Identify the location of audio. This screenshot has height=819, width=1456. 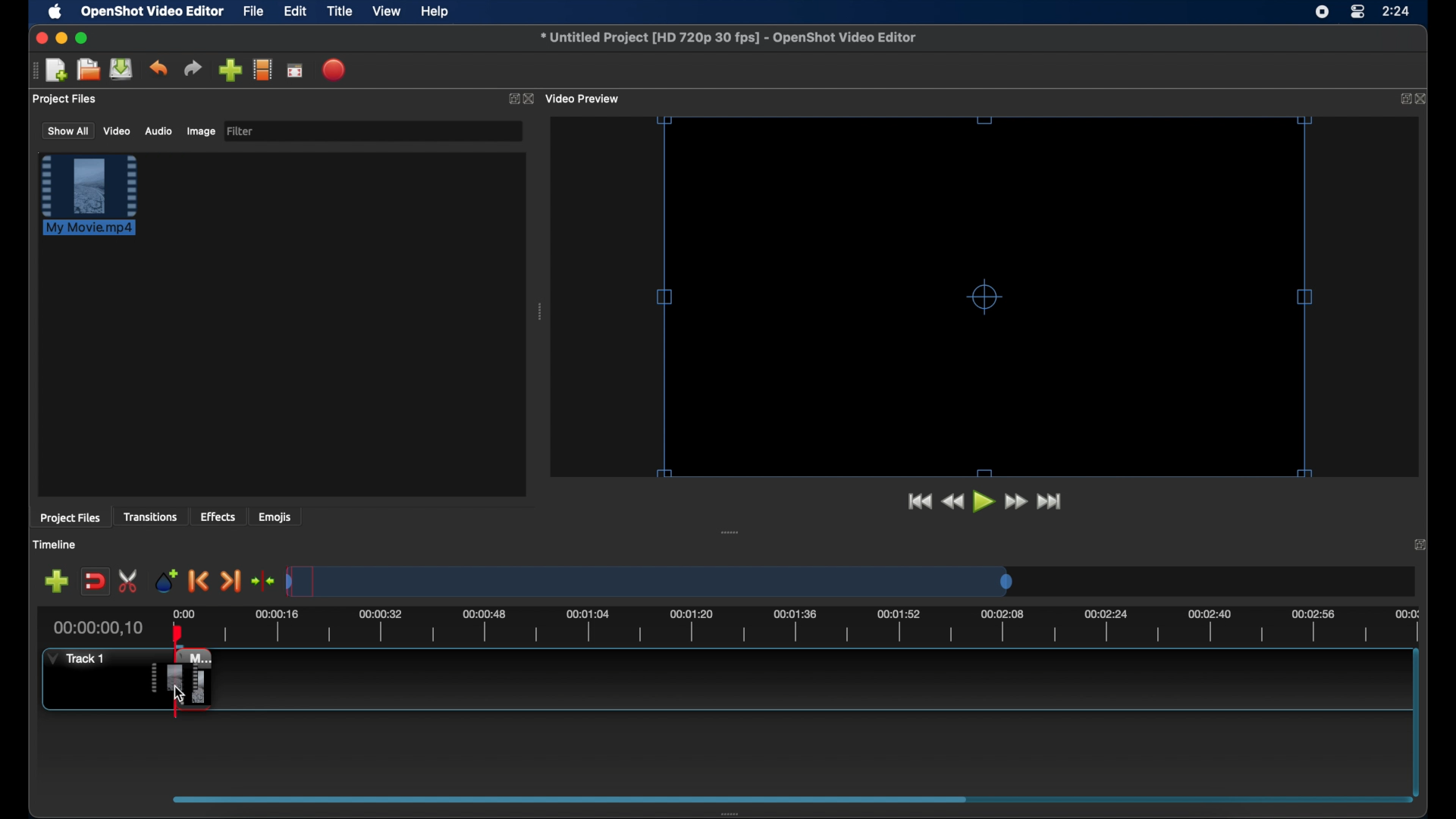
(159, 131).